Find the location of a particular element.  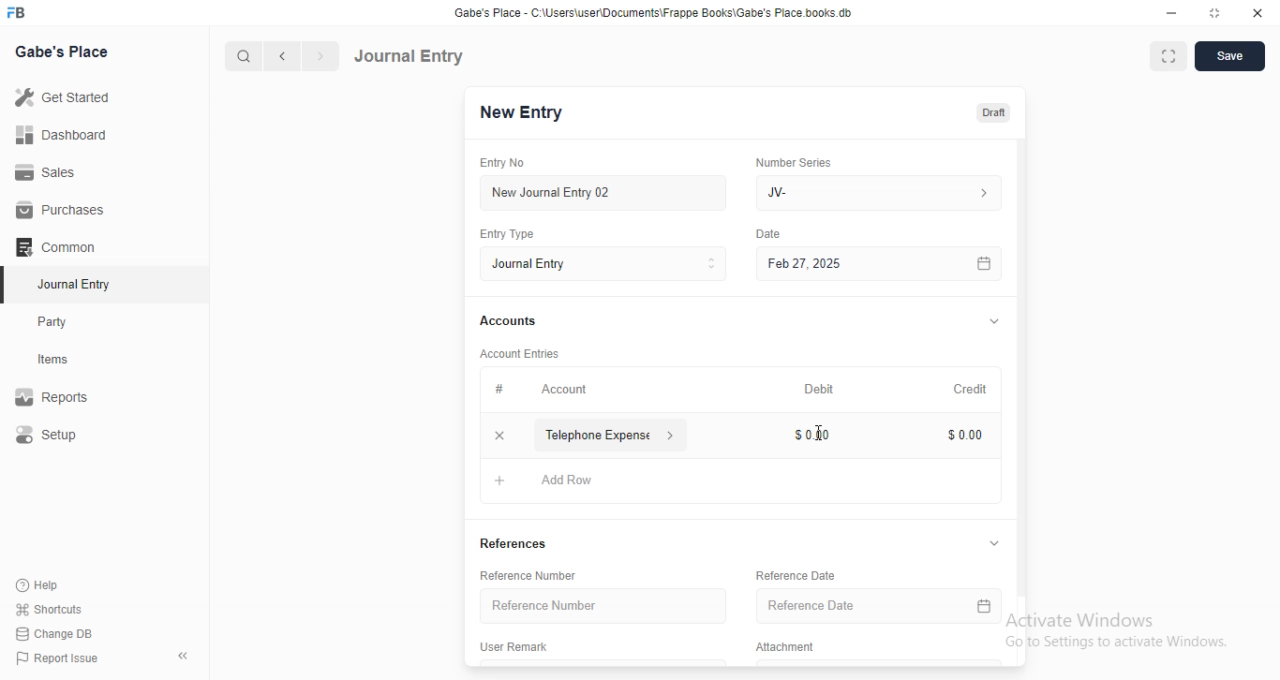

‘Reference Number is located at coordinates (599, 606).